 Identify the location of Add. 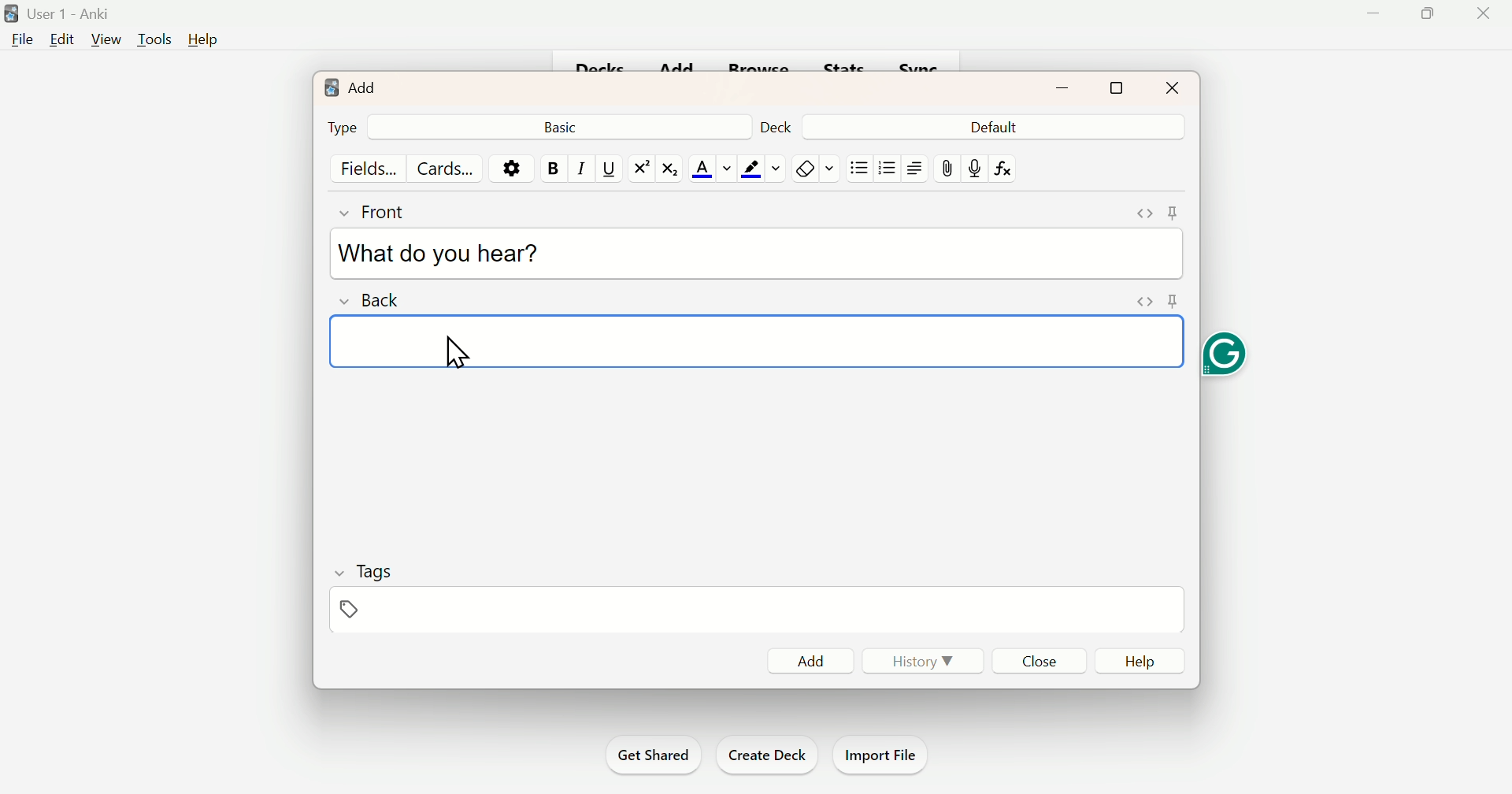
(353, 89).